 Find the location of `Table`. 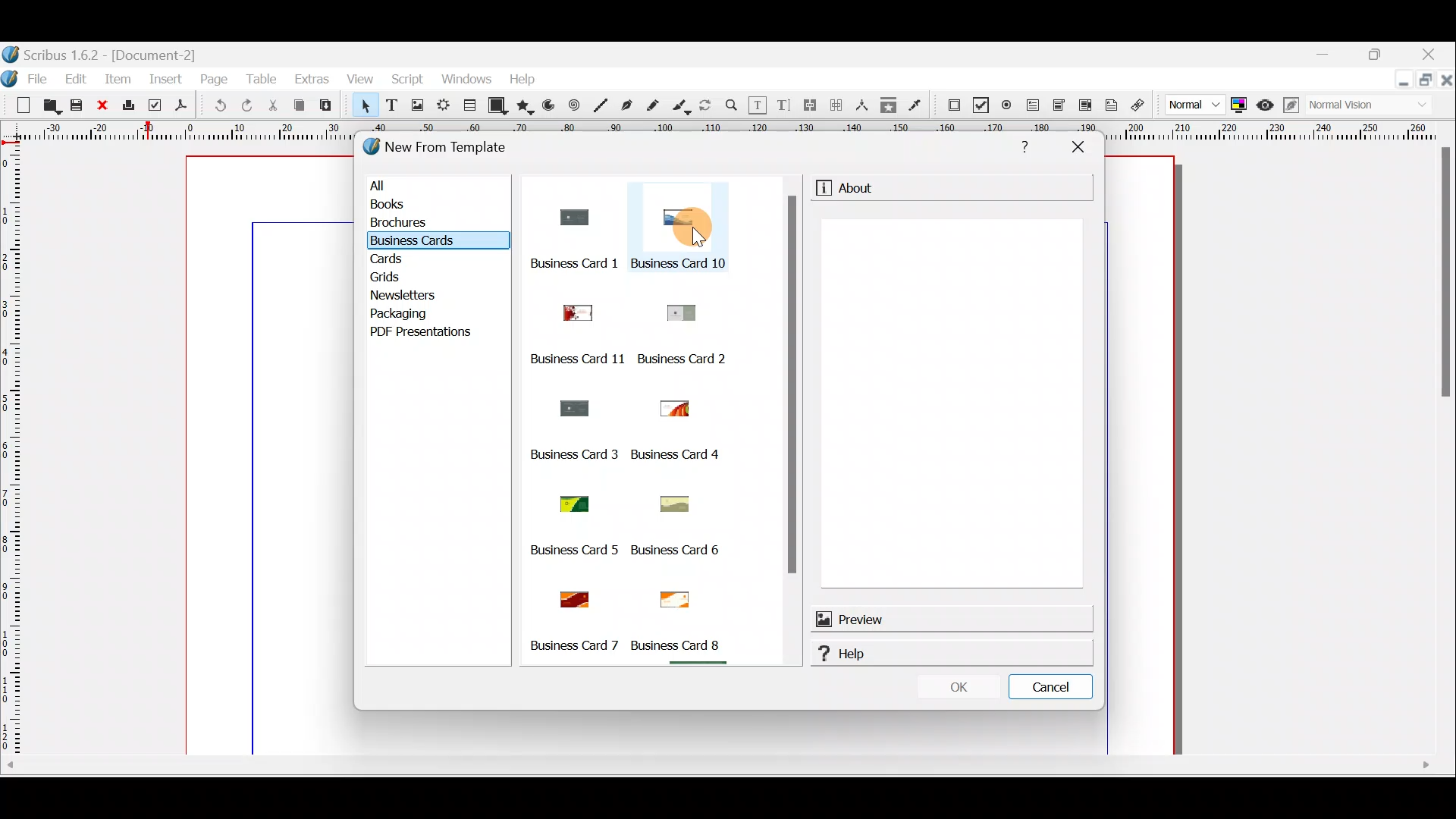

Table is located at coordinates (265, 78).